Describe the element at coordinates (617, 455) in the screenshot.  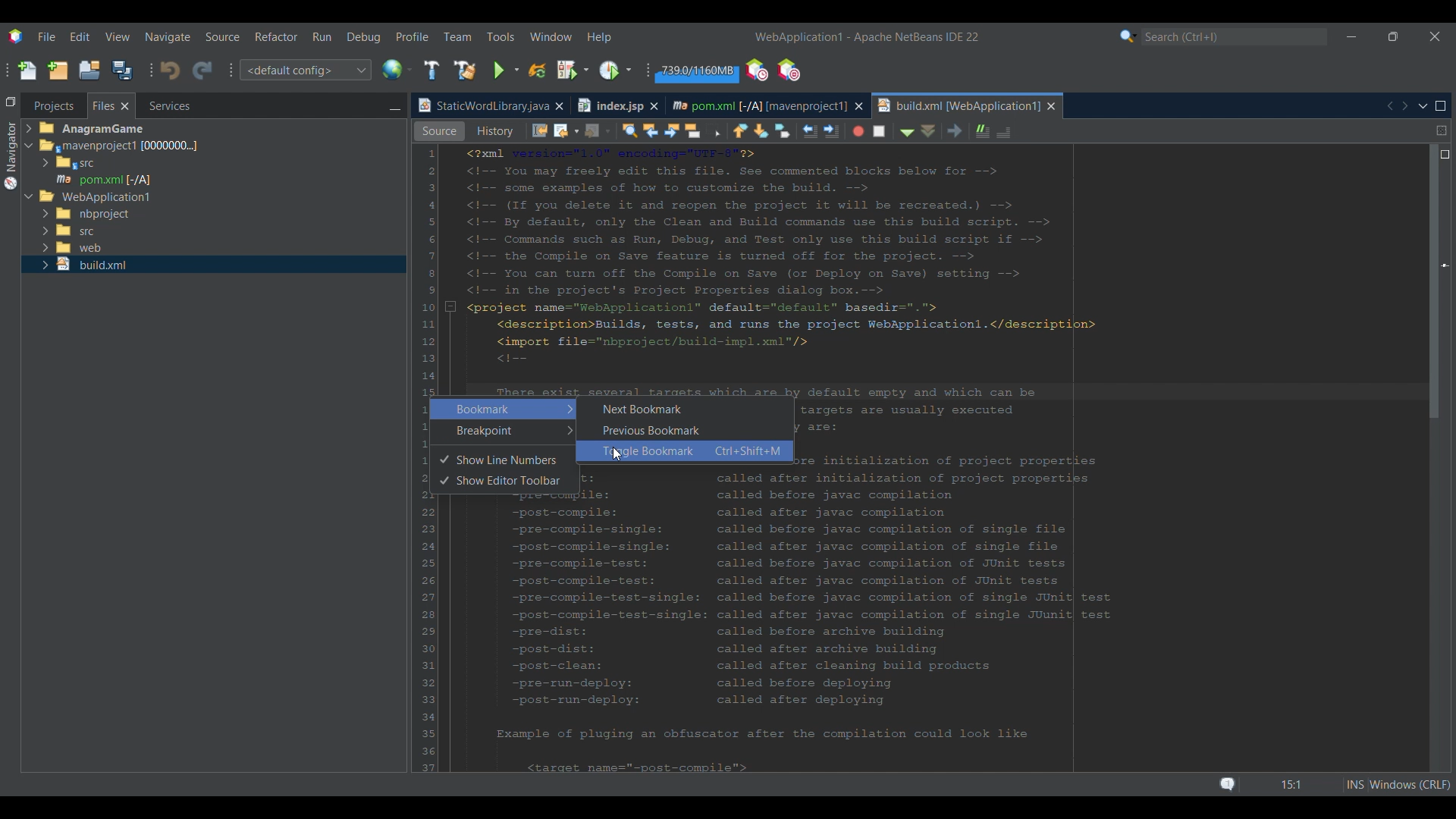
I see `Cursor clicking on toggle bookmark` at that location.